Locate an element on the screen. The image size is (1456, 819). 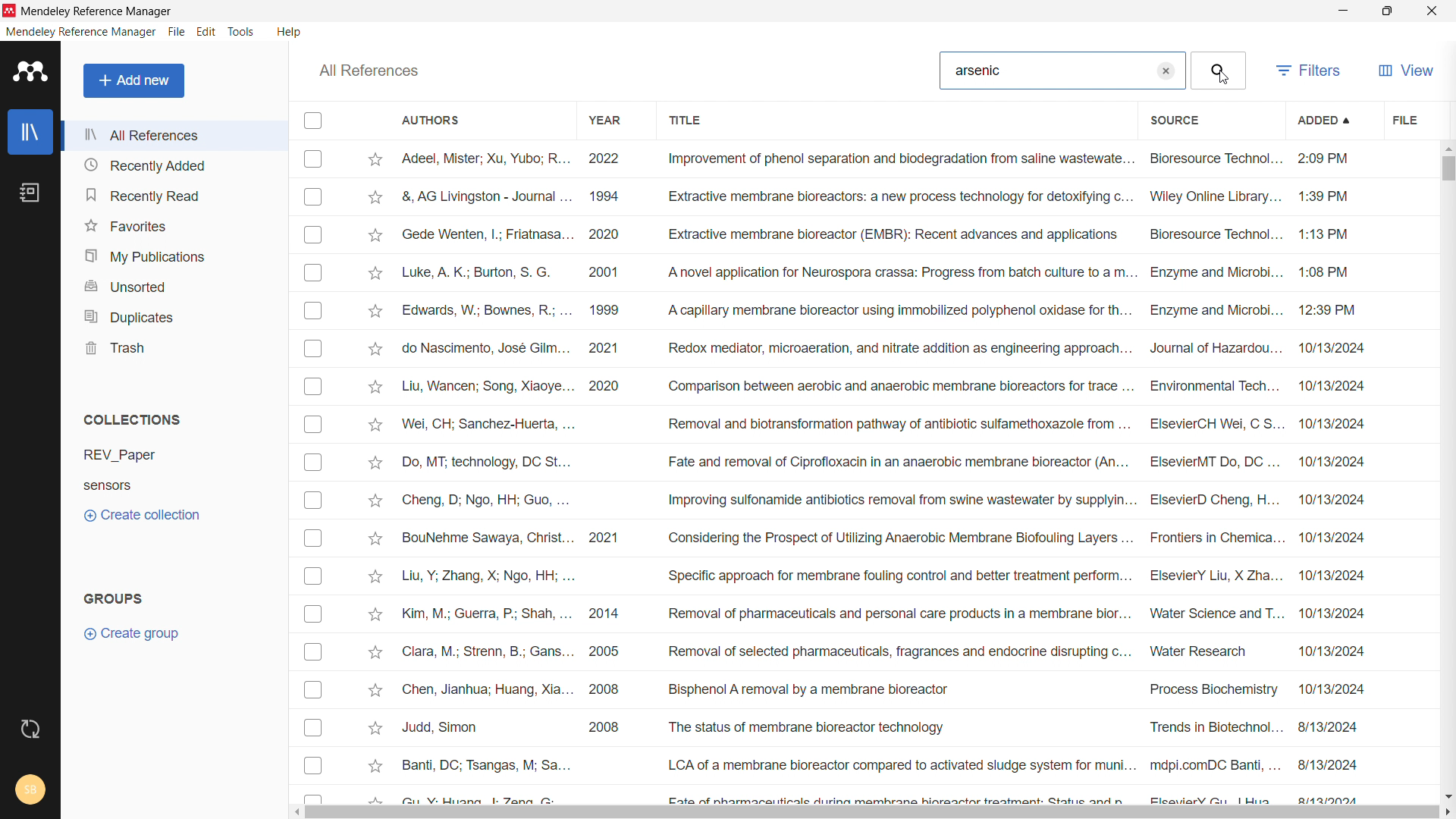
scroll up is located at coordinates (1446, 148).